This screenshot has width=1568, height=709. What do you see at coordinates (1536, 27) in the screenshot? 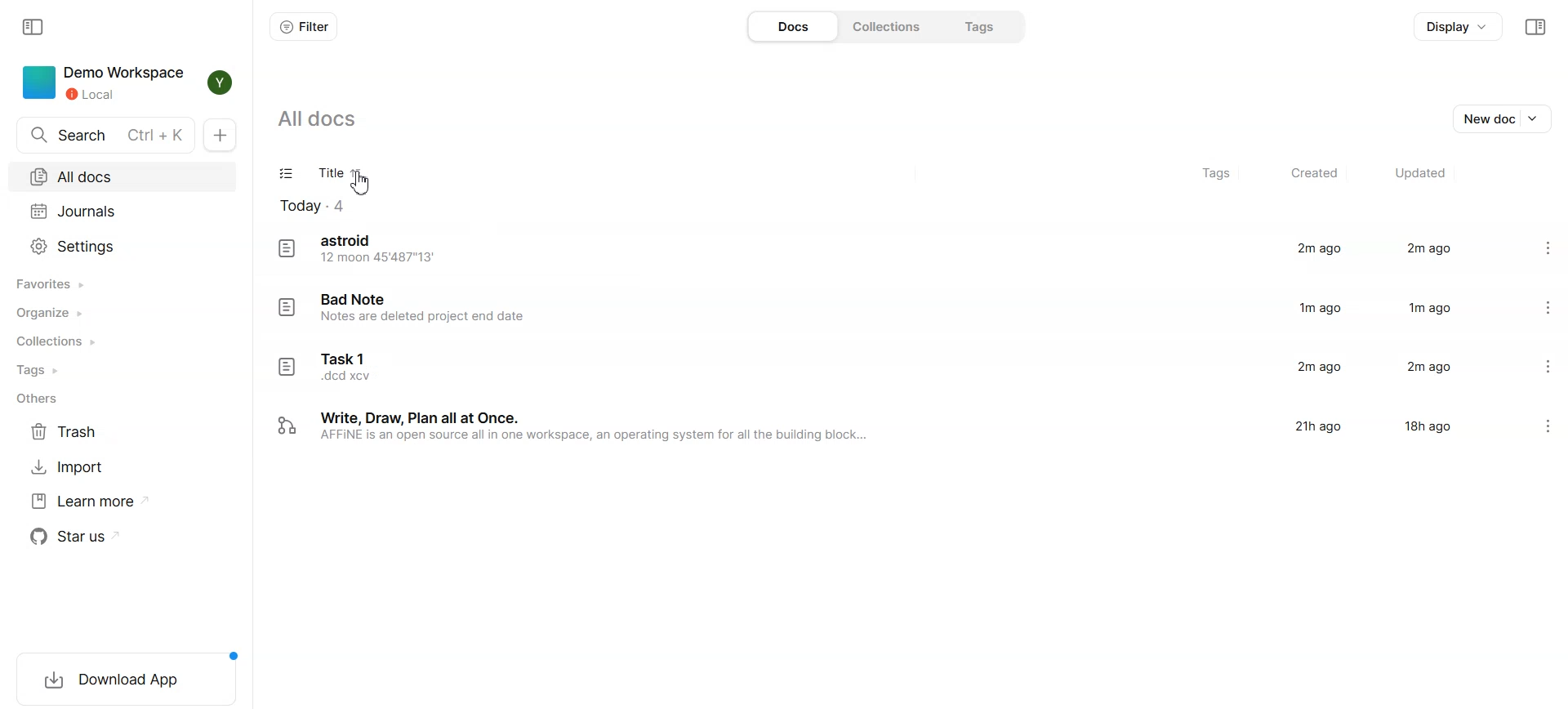
I see `Collapse sidebar` at bounding box center [1536, 27].